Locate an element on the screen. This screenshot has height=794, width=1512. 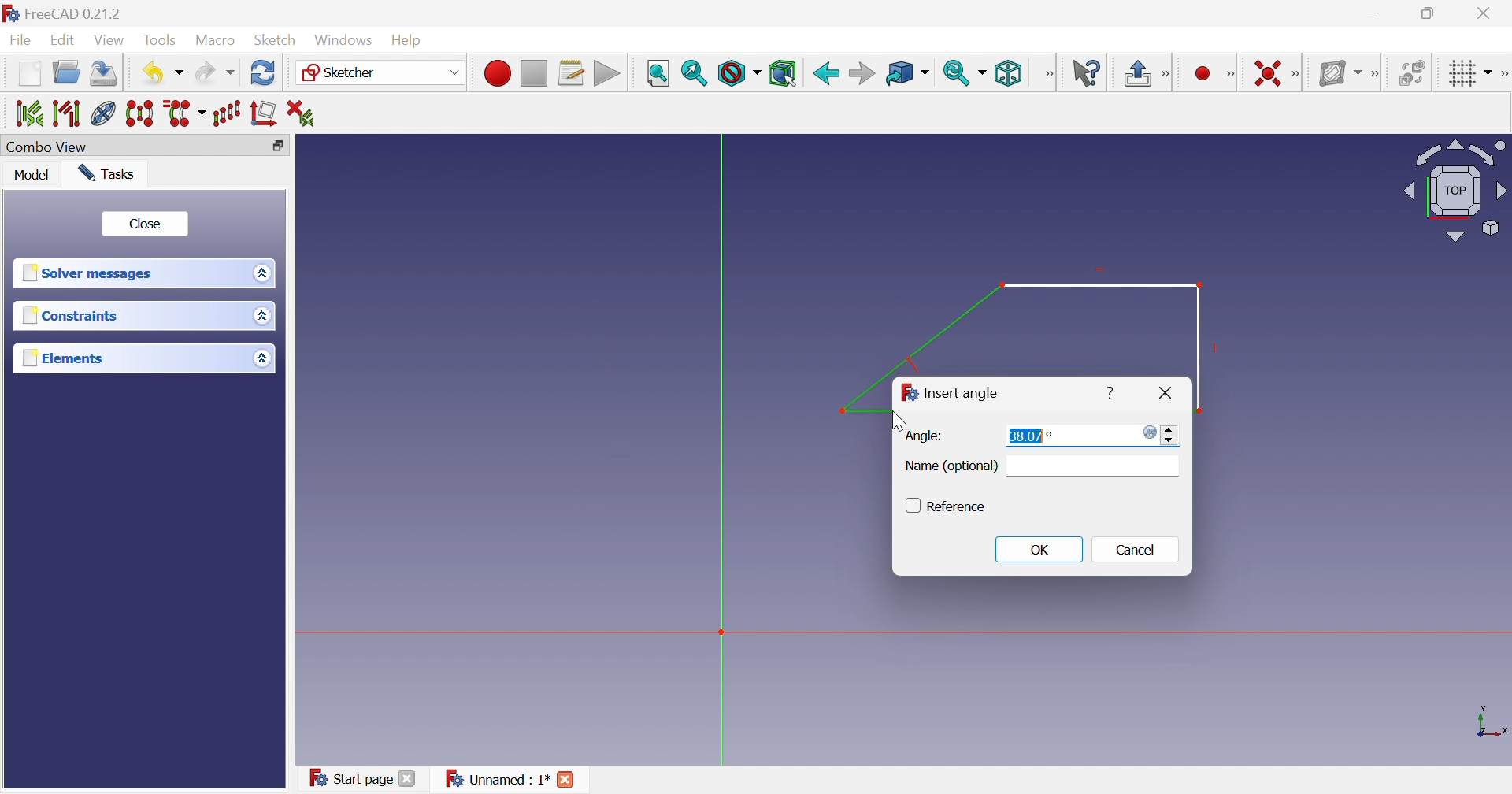
FreeCAD icon is located at coordinates (906, 394).